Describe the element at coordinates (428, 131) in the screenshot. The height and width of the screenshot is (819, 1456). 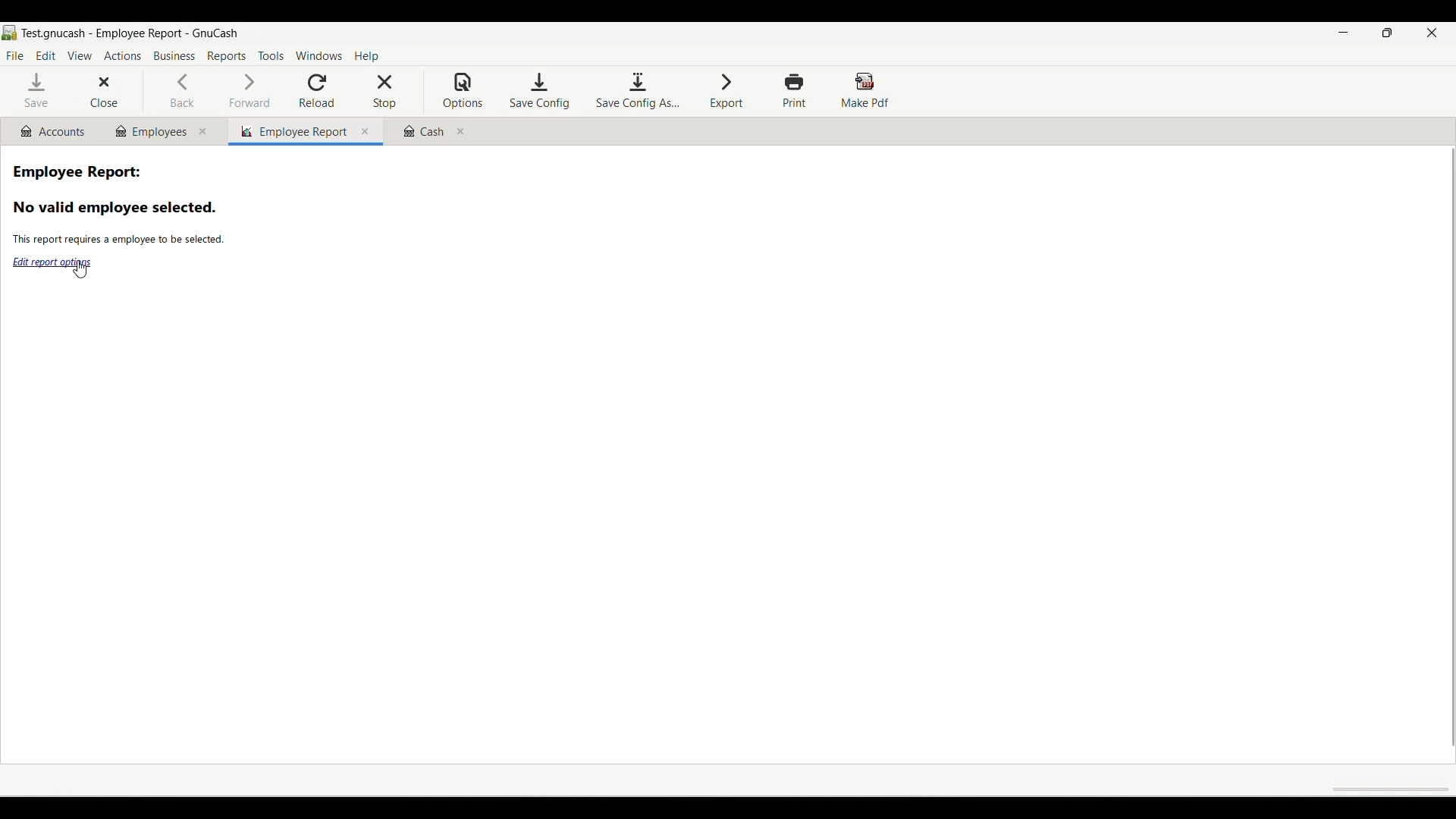
I see `Cash tab` at that location.